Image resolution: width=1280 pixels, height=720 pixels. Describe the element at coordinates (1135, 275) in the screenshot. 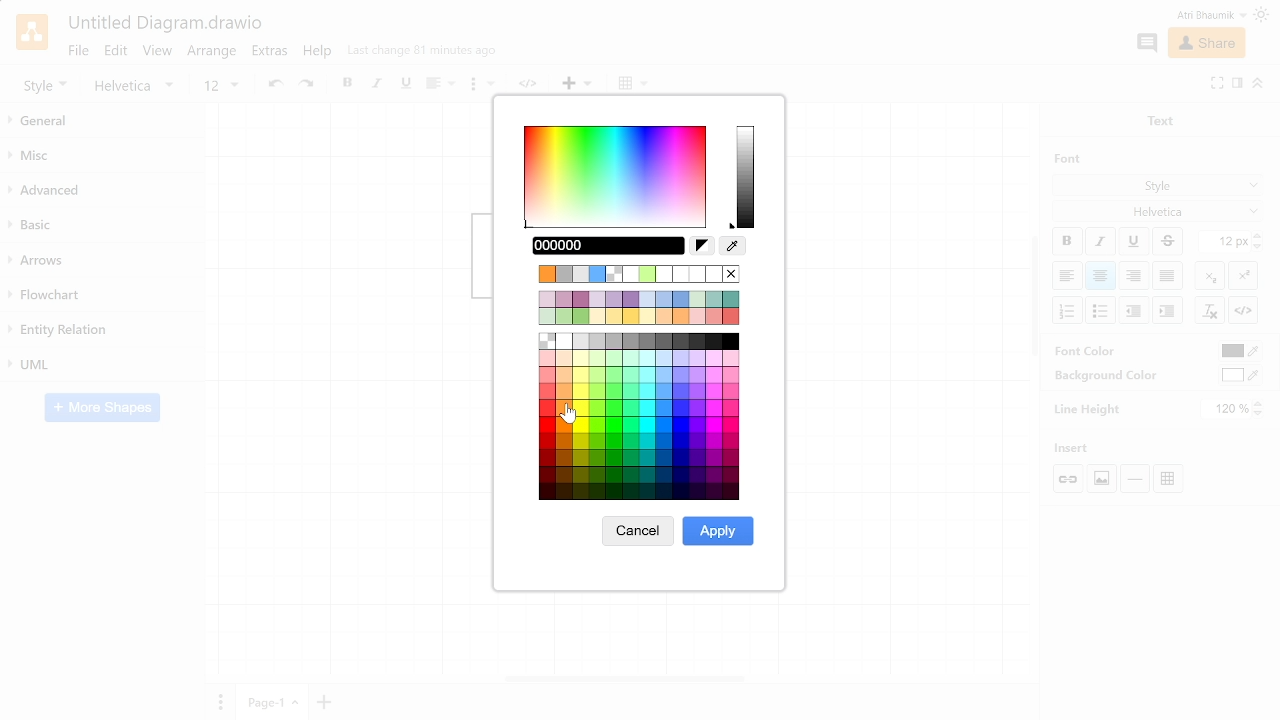

I see `Allign right` at that location.